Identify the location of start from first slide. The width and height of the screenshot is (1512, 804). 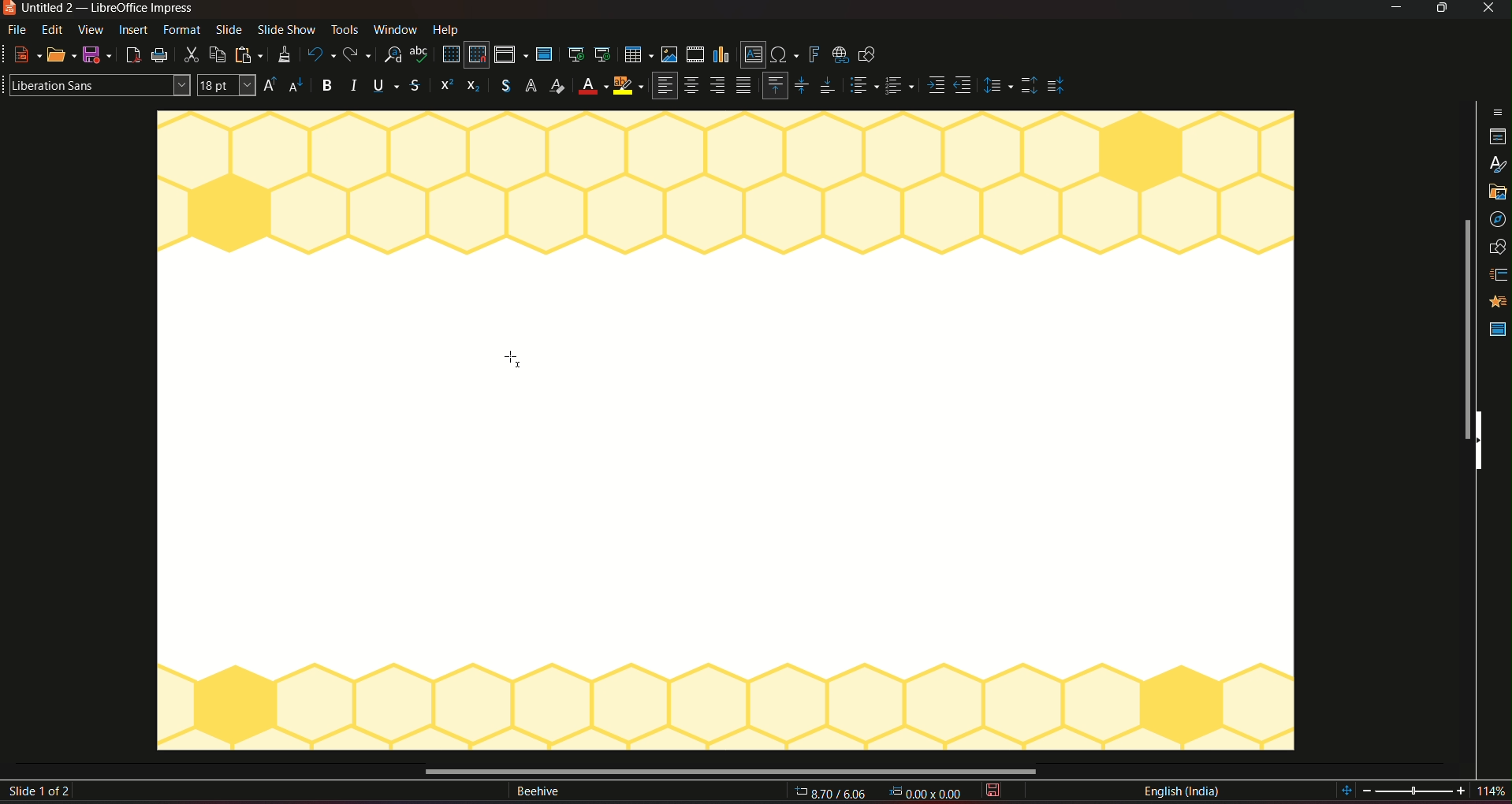
(575, 54).